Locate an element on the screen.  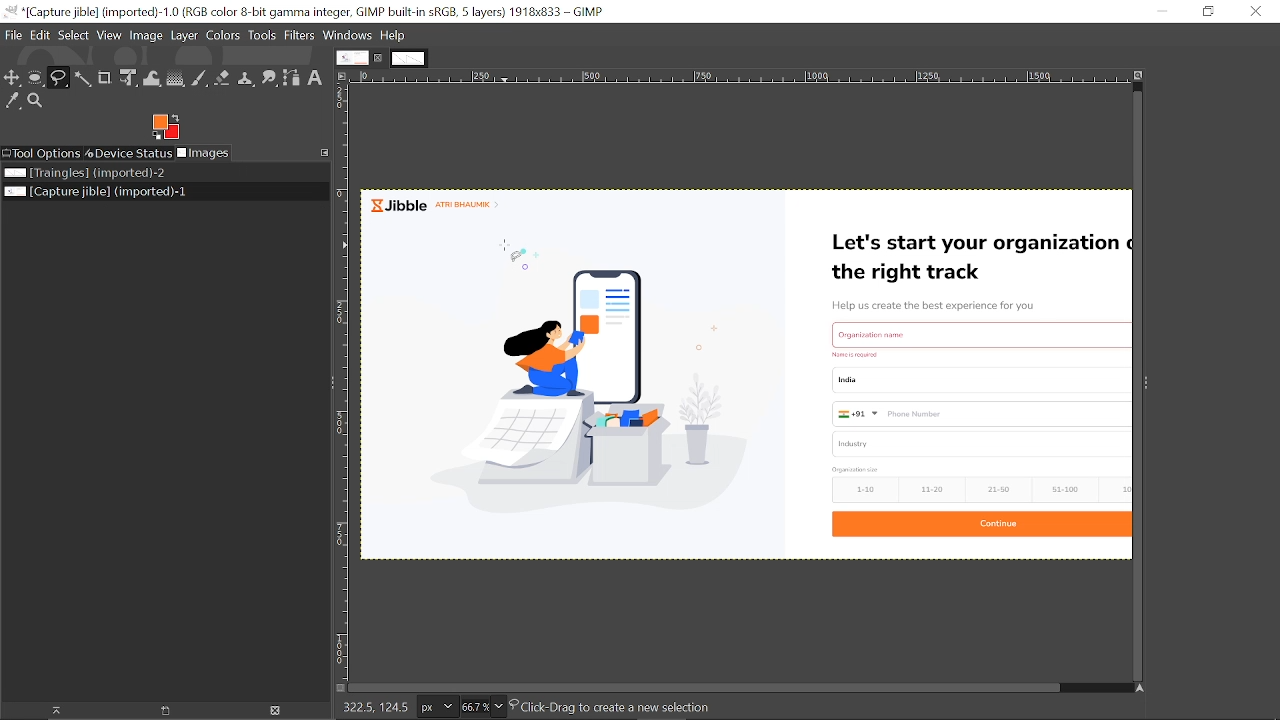
Filters is located at coordinates (301, 37).